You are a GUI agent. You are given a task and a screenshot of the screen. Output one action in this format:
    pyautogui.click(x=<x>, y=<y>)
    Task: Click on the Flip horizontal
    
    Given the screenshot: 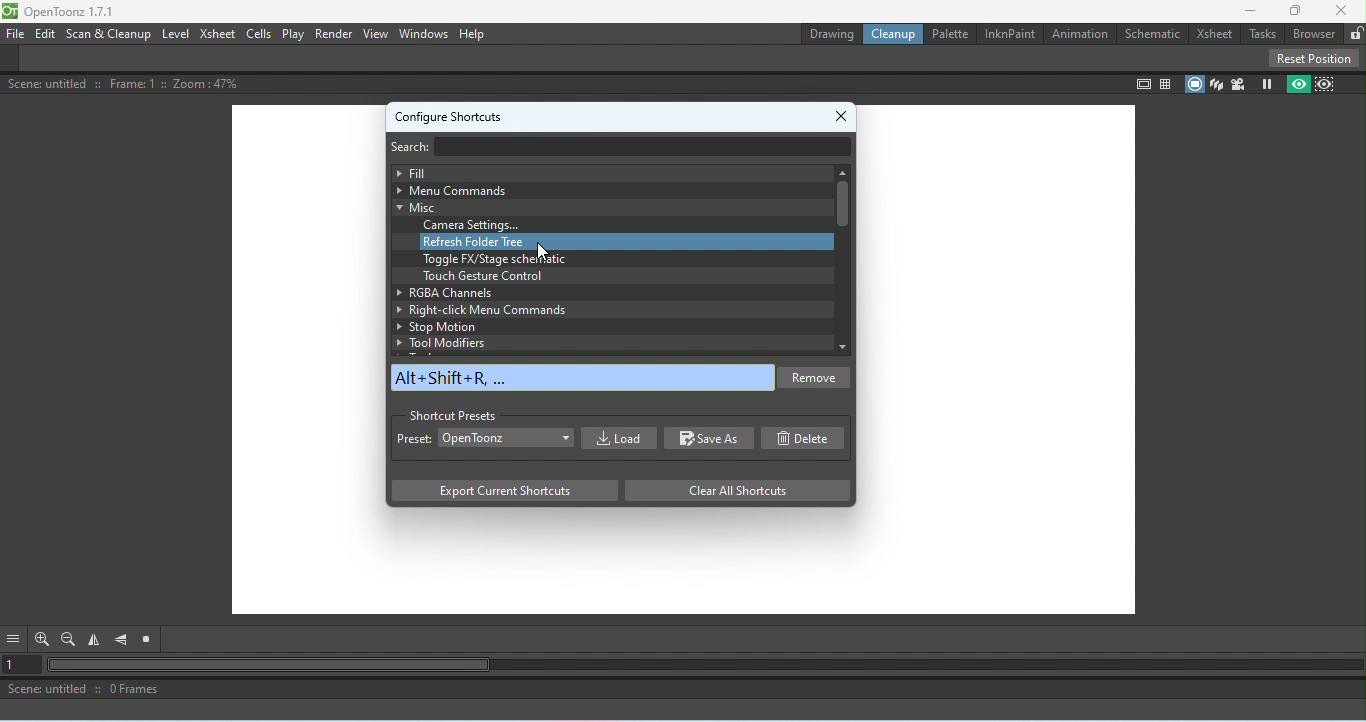 What is the action you would take?
    pyautogui.click(x=97, y=641)
    